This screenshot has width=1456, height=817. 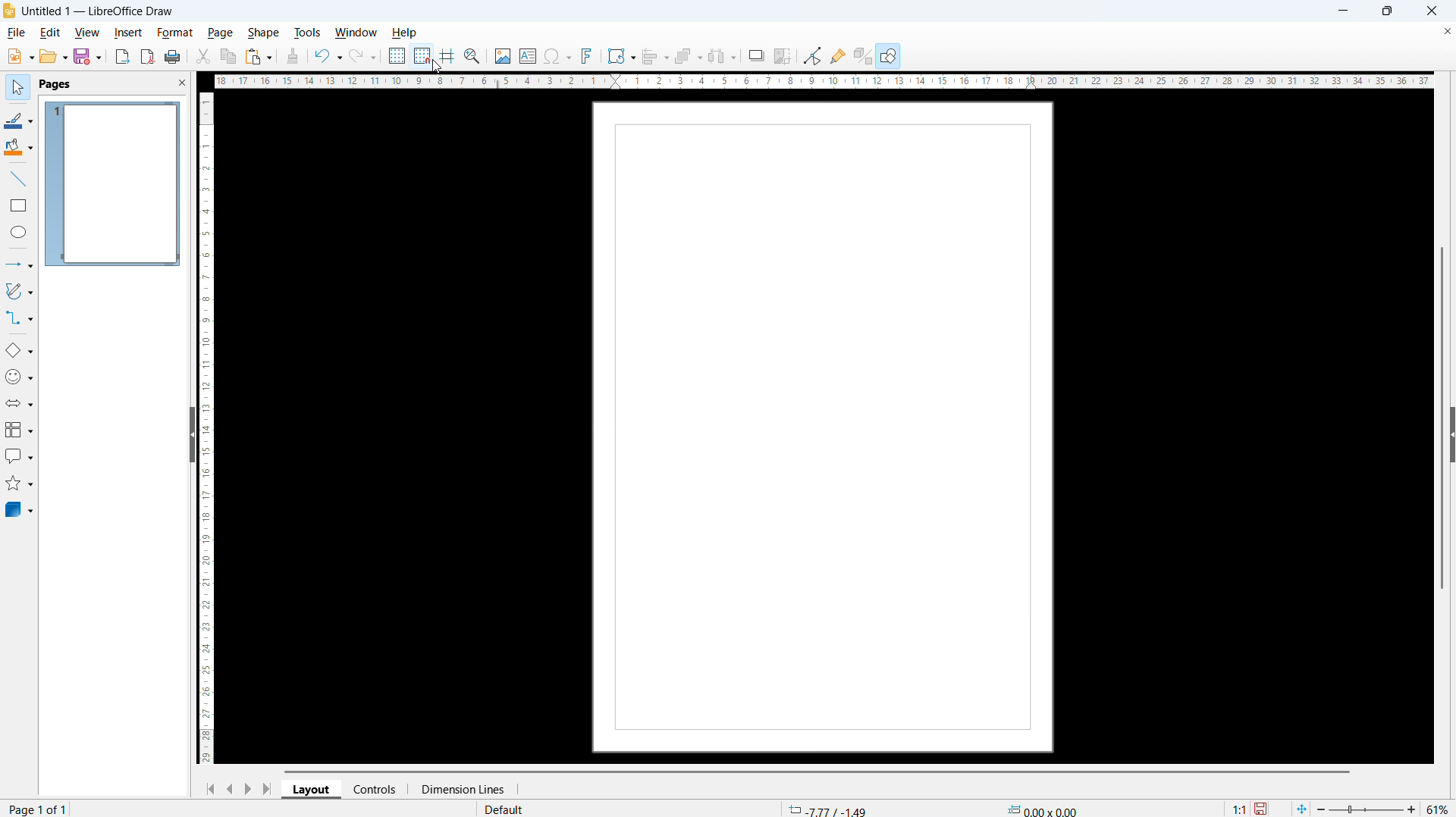 What do you see at coordinates (19, 510) in the screenshot?
I see `3D objects` at bounding box center [19, 510].